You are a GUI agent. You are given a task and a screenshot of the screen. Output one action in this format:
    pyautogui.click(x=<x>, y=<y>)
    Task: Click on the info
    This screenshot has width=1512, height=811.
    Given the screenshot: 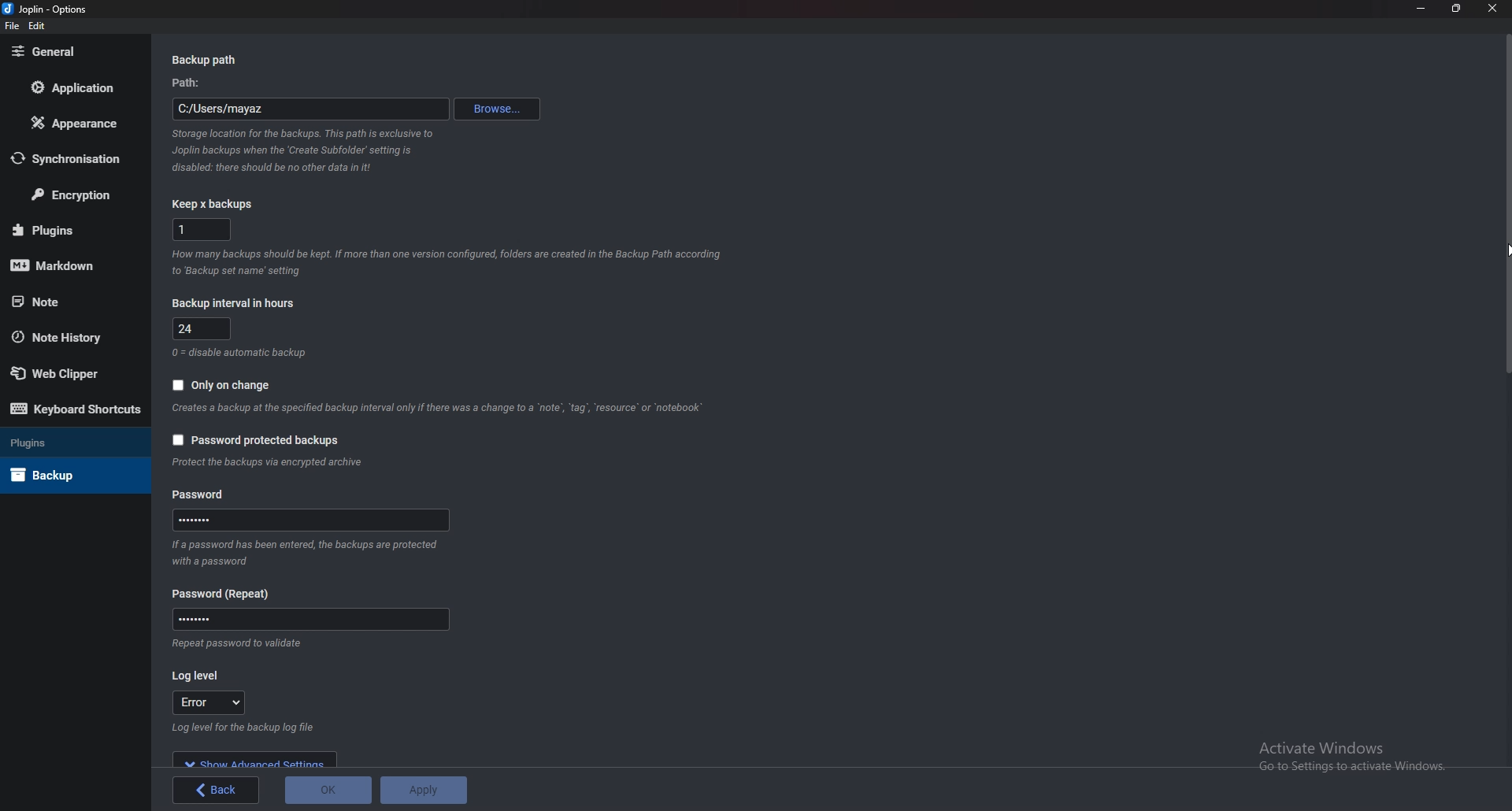 What is the action you would take?
    pyautogui.click(x=241, y=729)
    